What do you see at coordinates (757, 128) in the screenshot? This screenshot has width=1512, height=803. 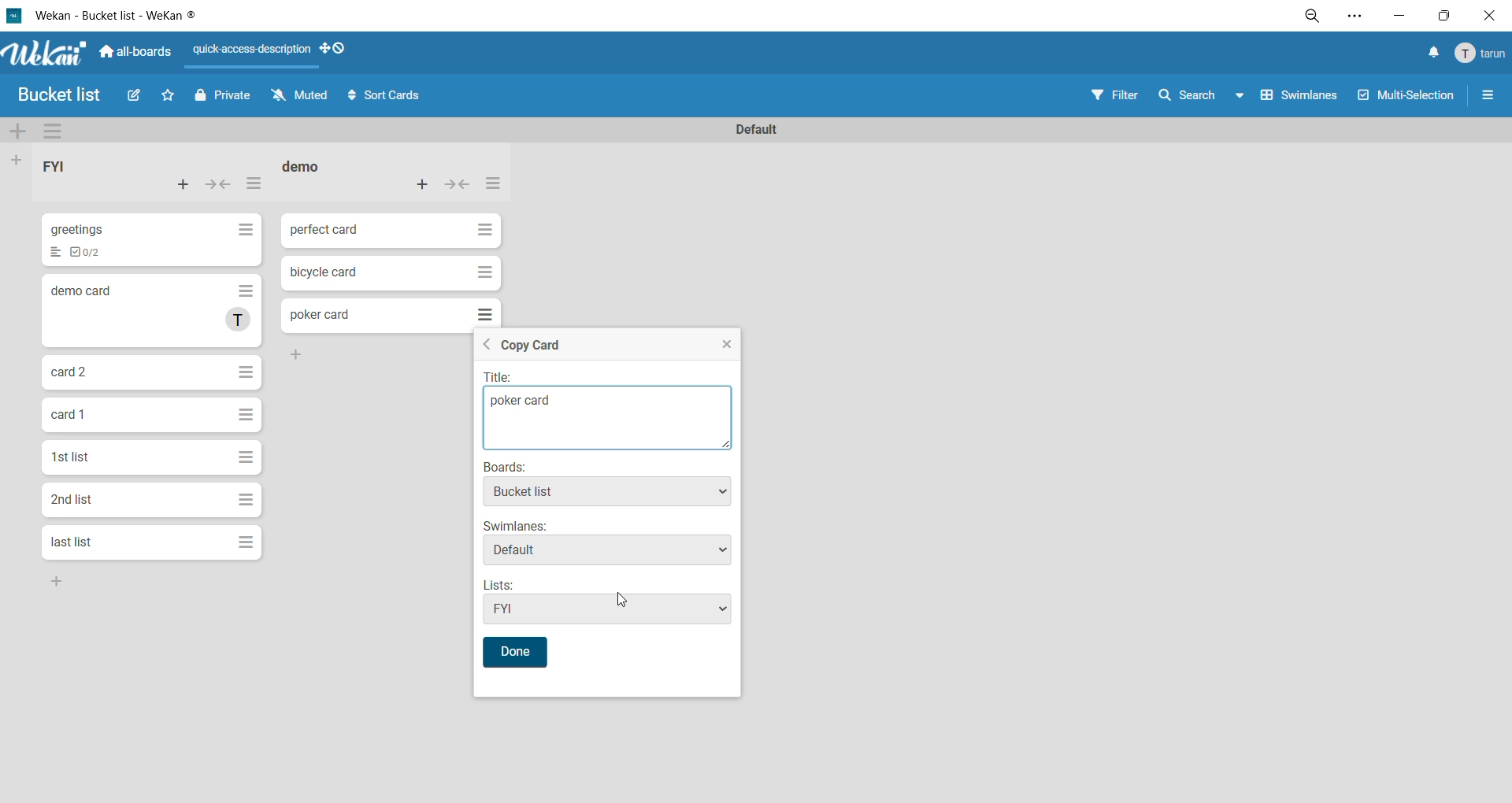 I see `swimlane title` at bounding box center [757, 128].